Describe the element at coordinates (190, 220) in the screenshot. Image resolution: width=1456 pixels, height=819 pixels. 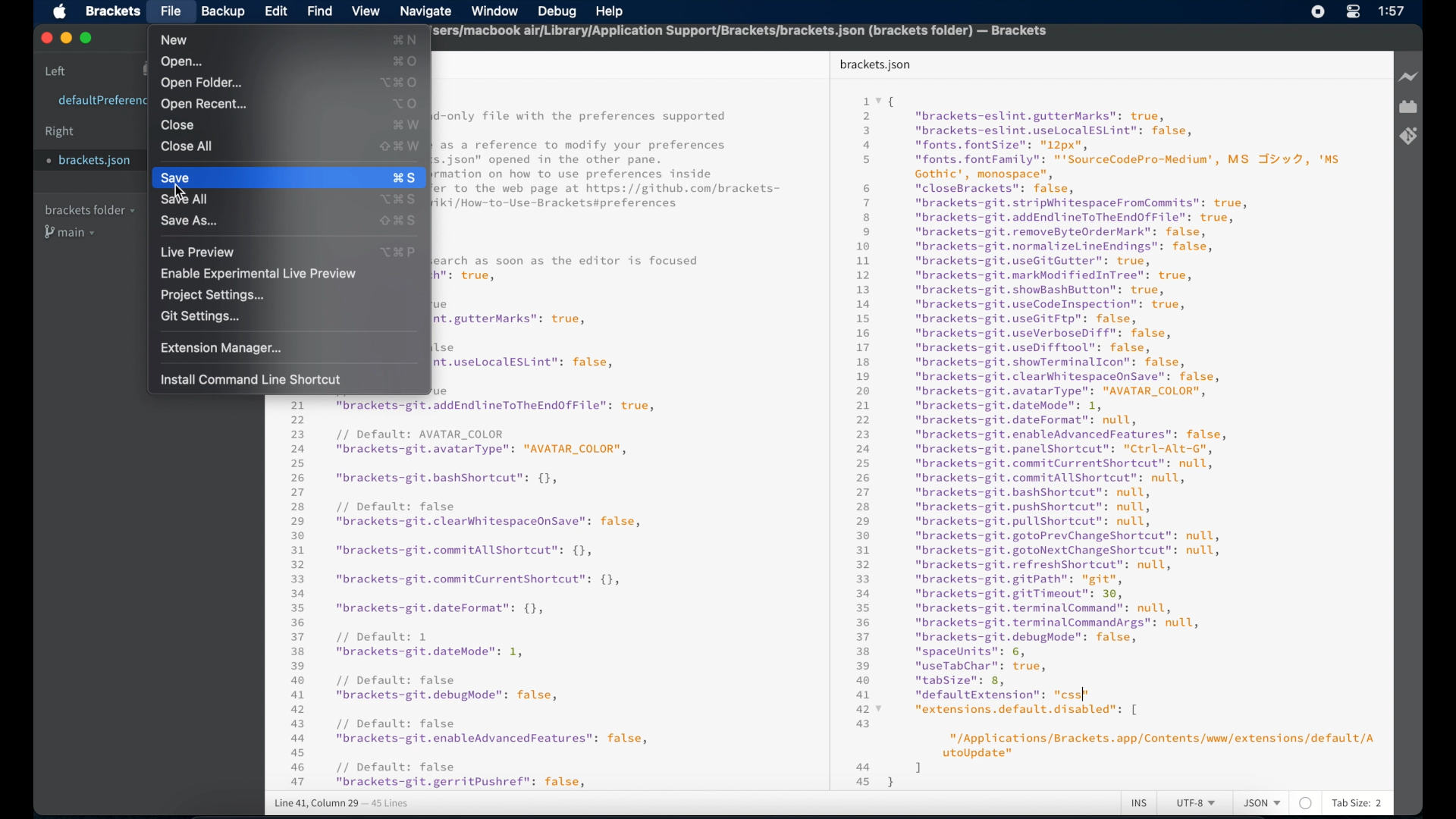
I see `save as` at that location.